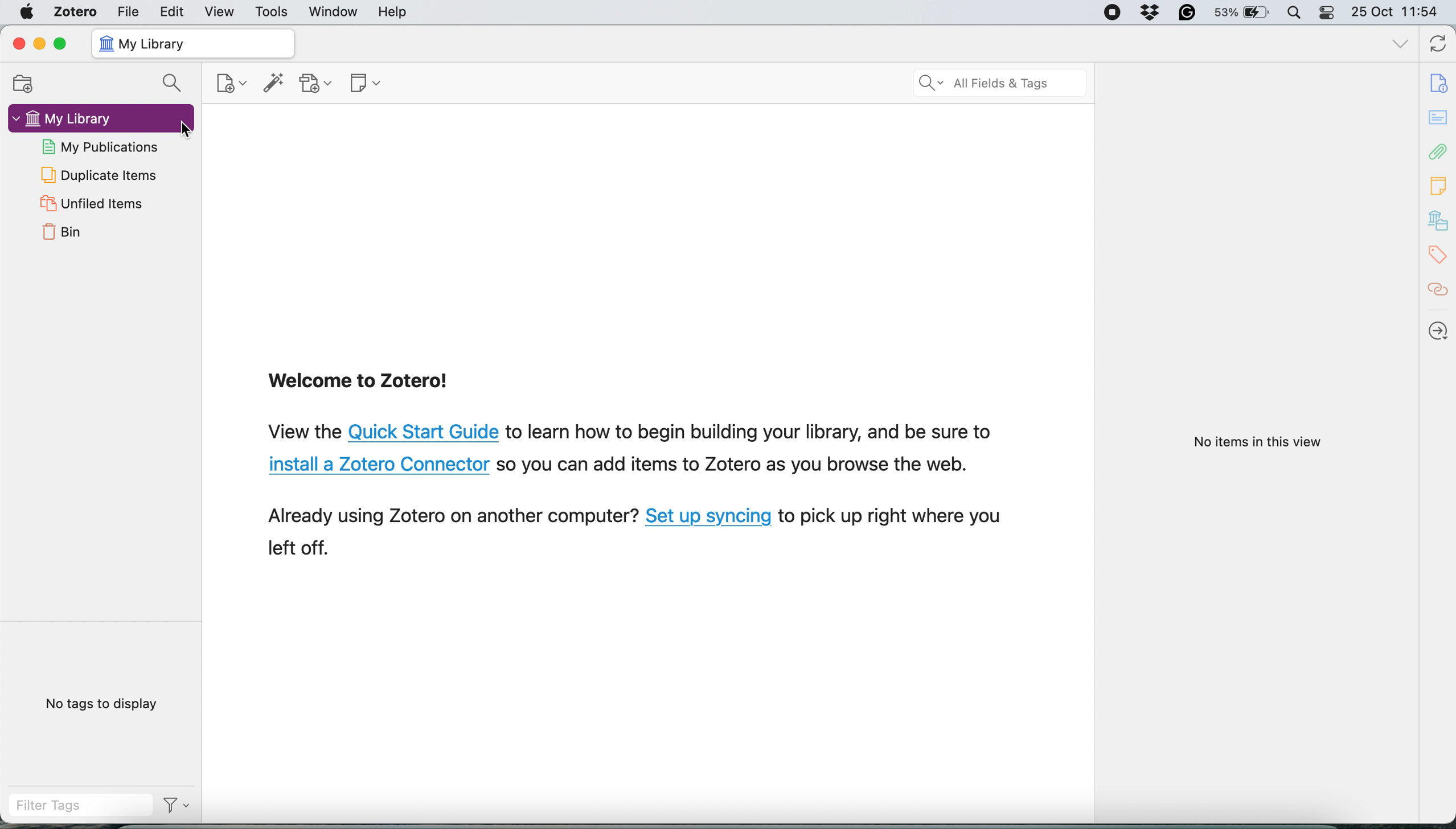 Image resolution: width=1456 pixels, height=829 pixels. What do you see at coordinates (126, 11) in the screenshot?
I see `file` at bounding box center [126, 11].